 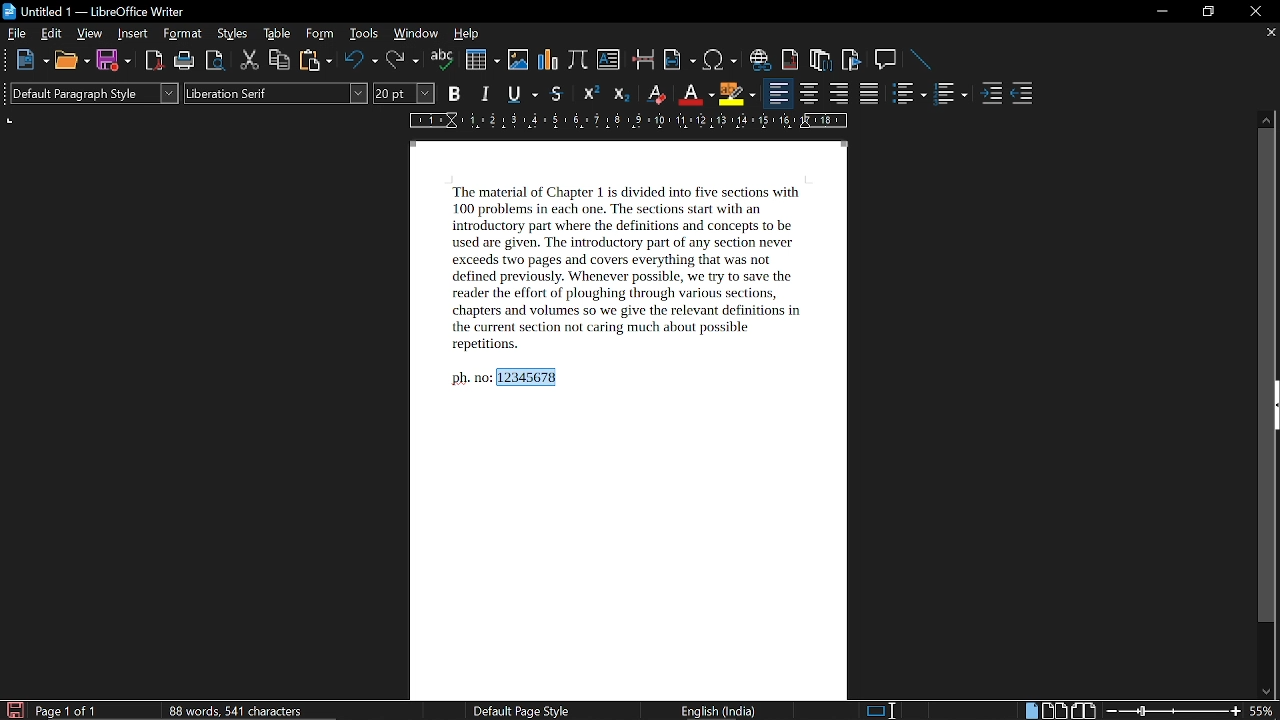 I want to click on styles, so click(x=234, y=34).